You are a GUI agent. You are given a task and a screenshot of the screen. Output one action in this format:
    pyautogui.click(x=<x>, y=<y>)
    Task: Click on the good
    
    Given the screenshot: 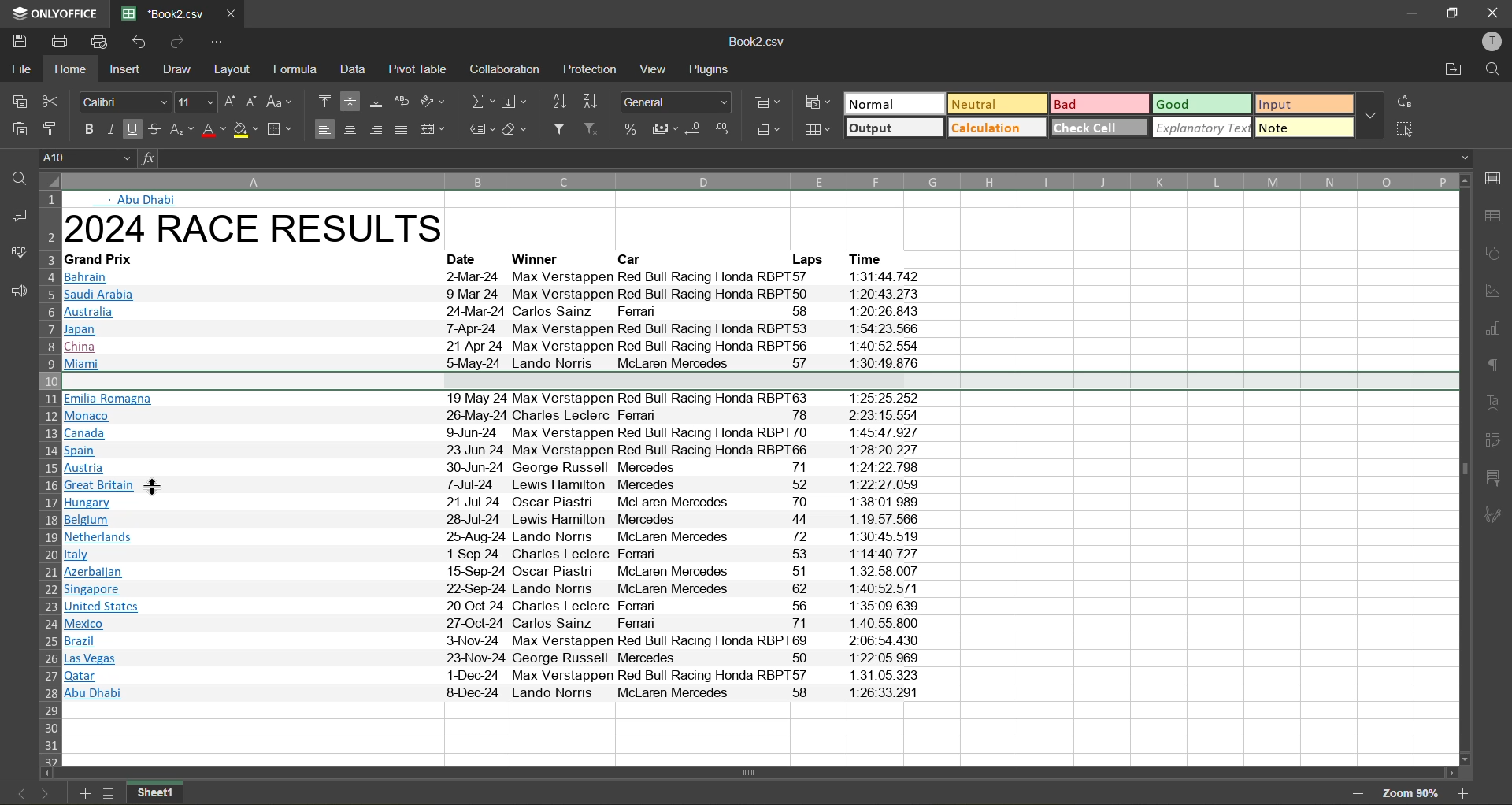 What is the action you would take?
    pyautogui.click(x=1202, y=104)
    